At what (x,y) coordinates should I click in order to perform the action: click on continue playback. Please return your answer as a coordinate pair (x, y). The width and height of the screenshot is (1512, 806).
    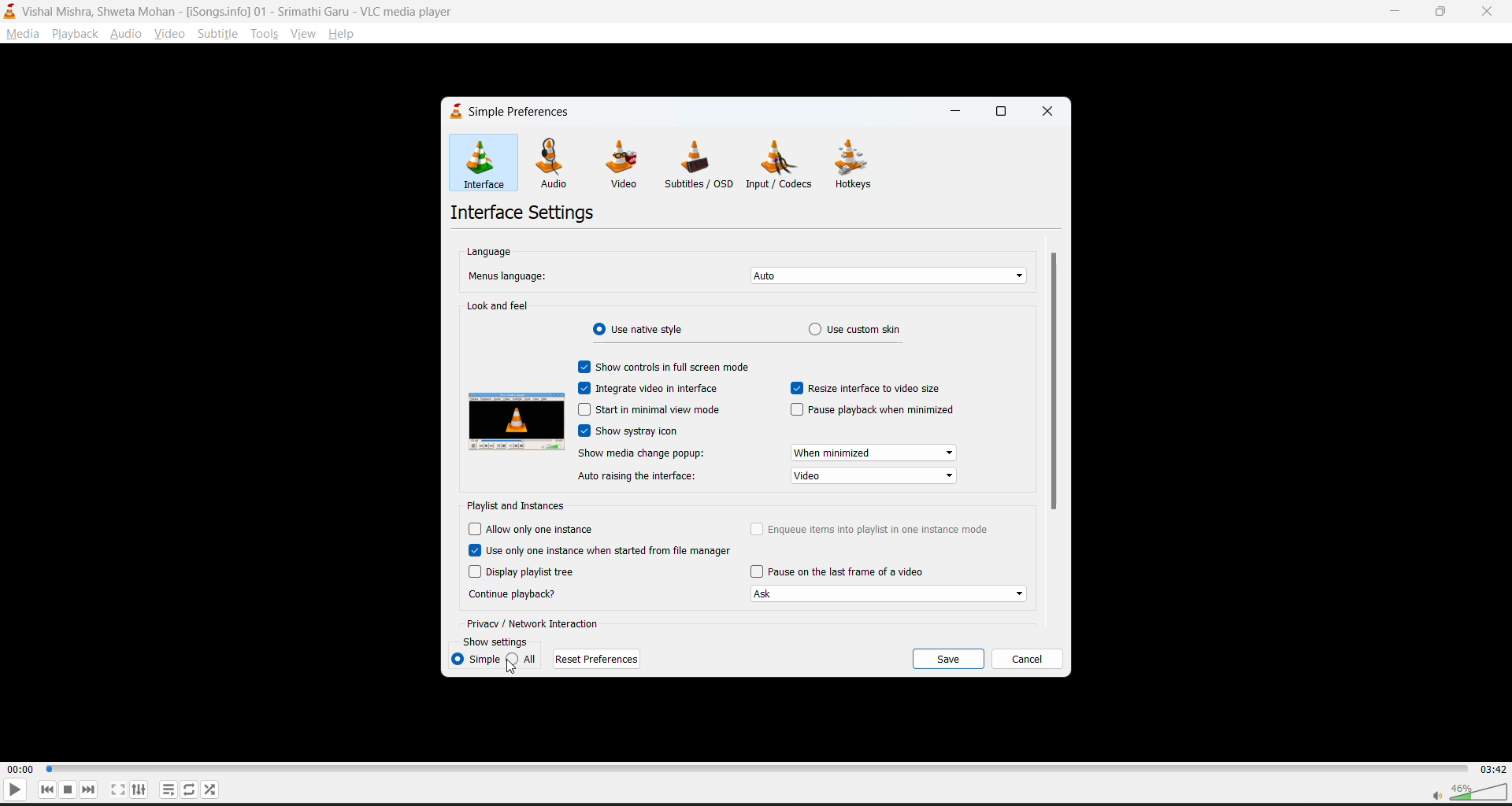
    Looking at the image, I should click on (516, 594).